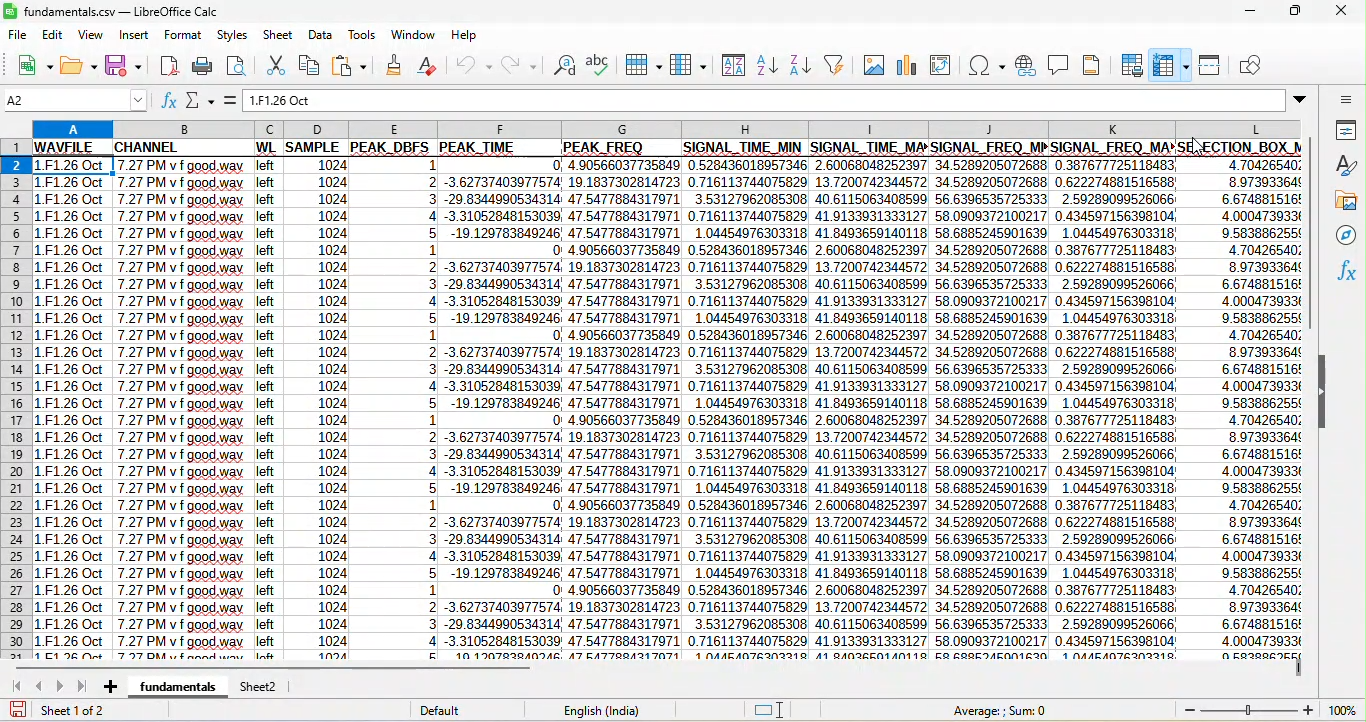 The height and width of the screenshot is (722, 1366). What do you see at coordinates (278, 36) in the screenshot?
I see `sheet` at bounding box center [278, 36].